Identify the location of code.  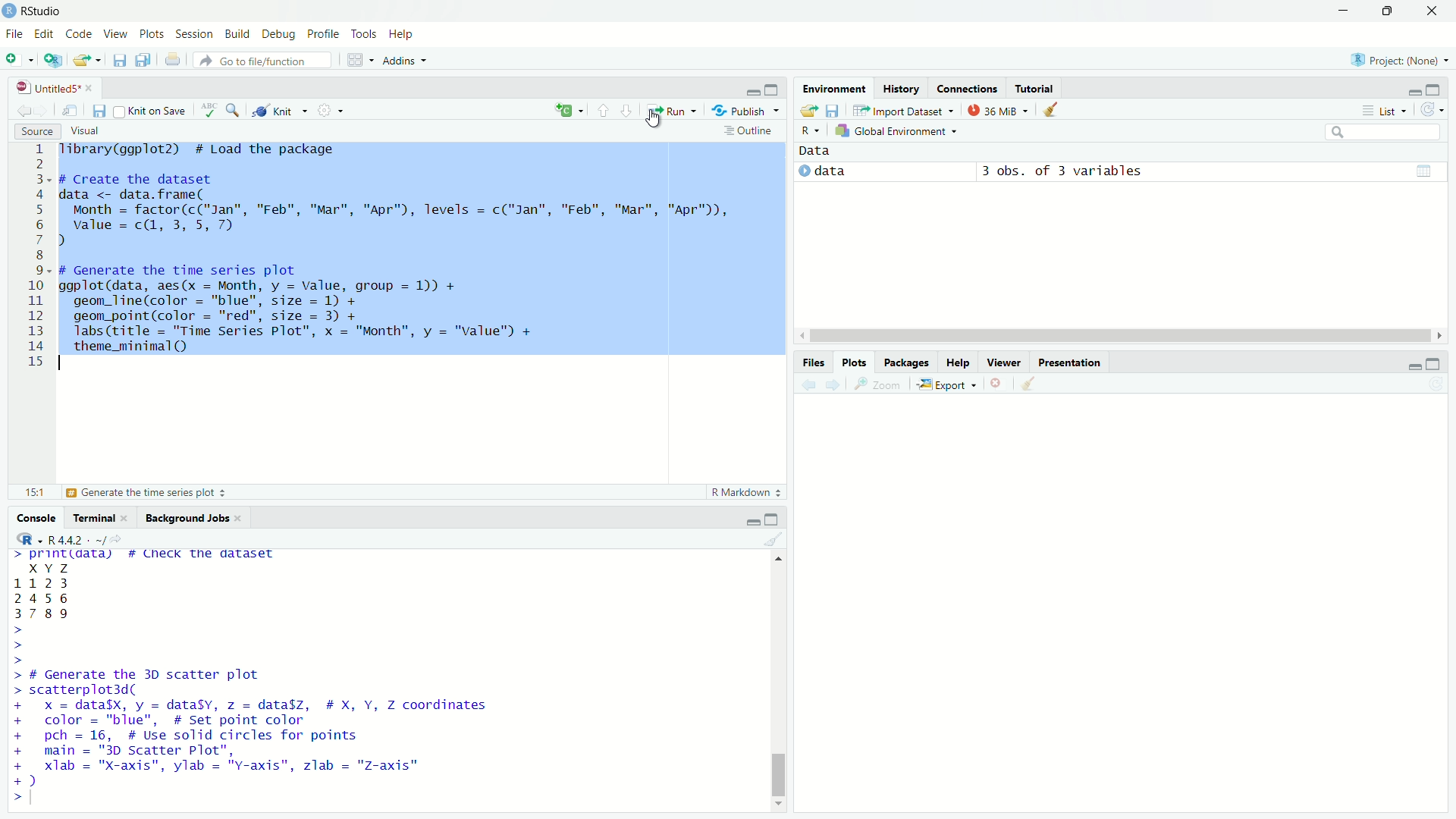
(79, 33).